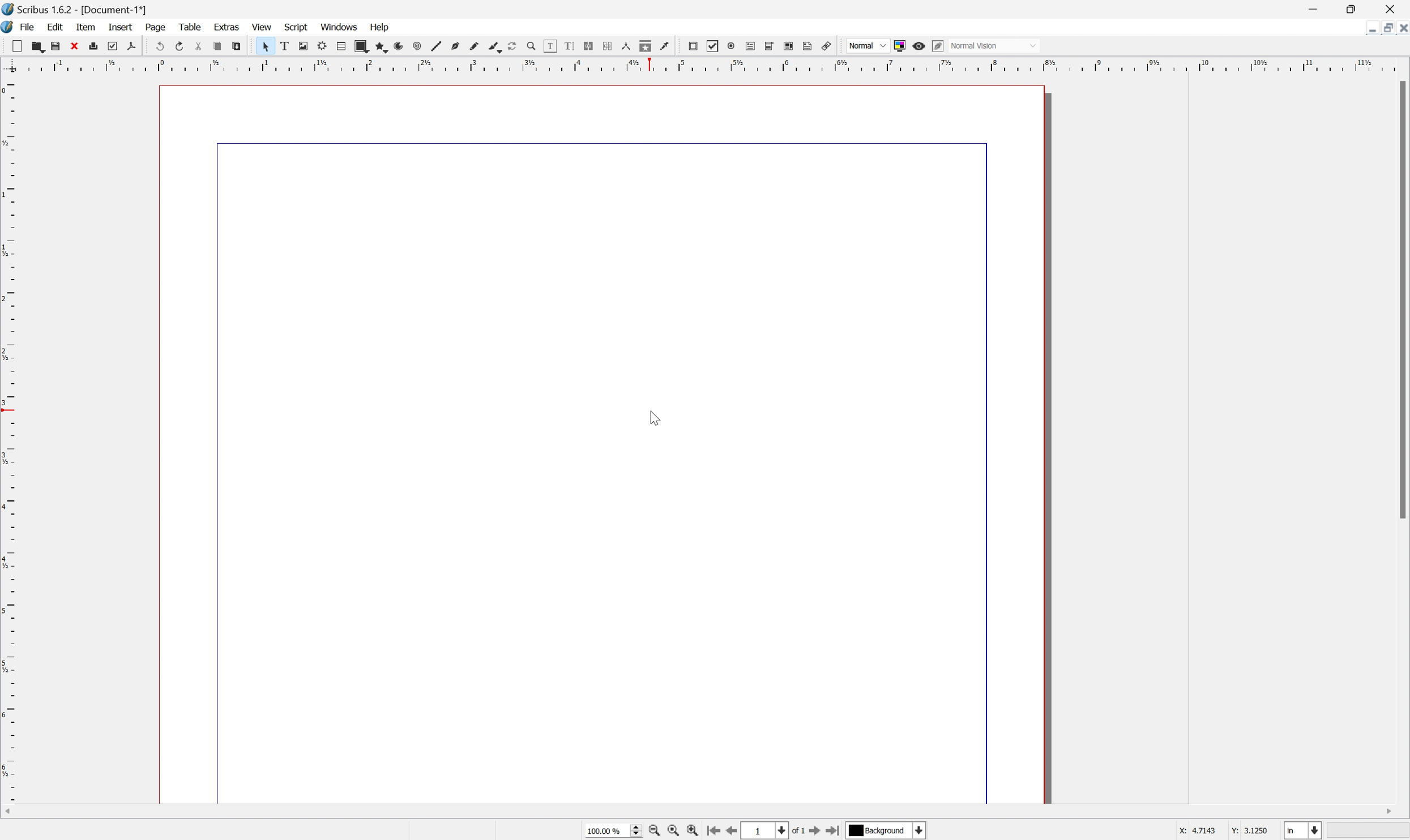 The height and width of the screenshot is (840, 1410). What do you see at coordinates (867, 46) in the screenshot?
I see `Normal` at bounding box center [867, 46].